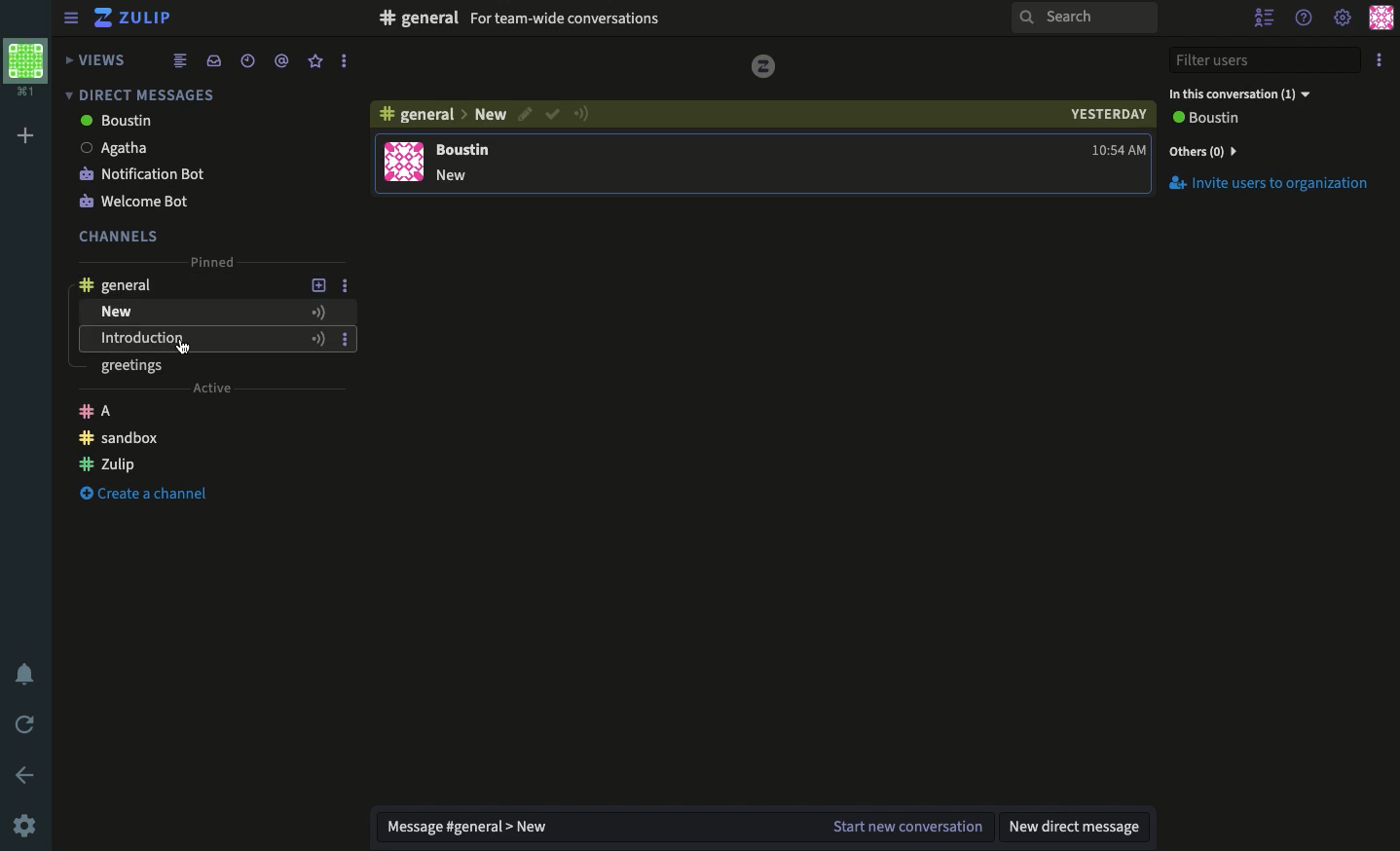 The height and width of the screenshot is (851, 1400). I want to click on Settings, so click(24, 825).